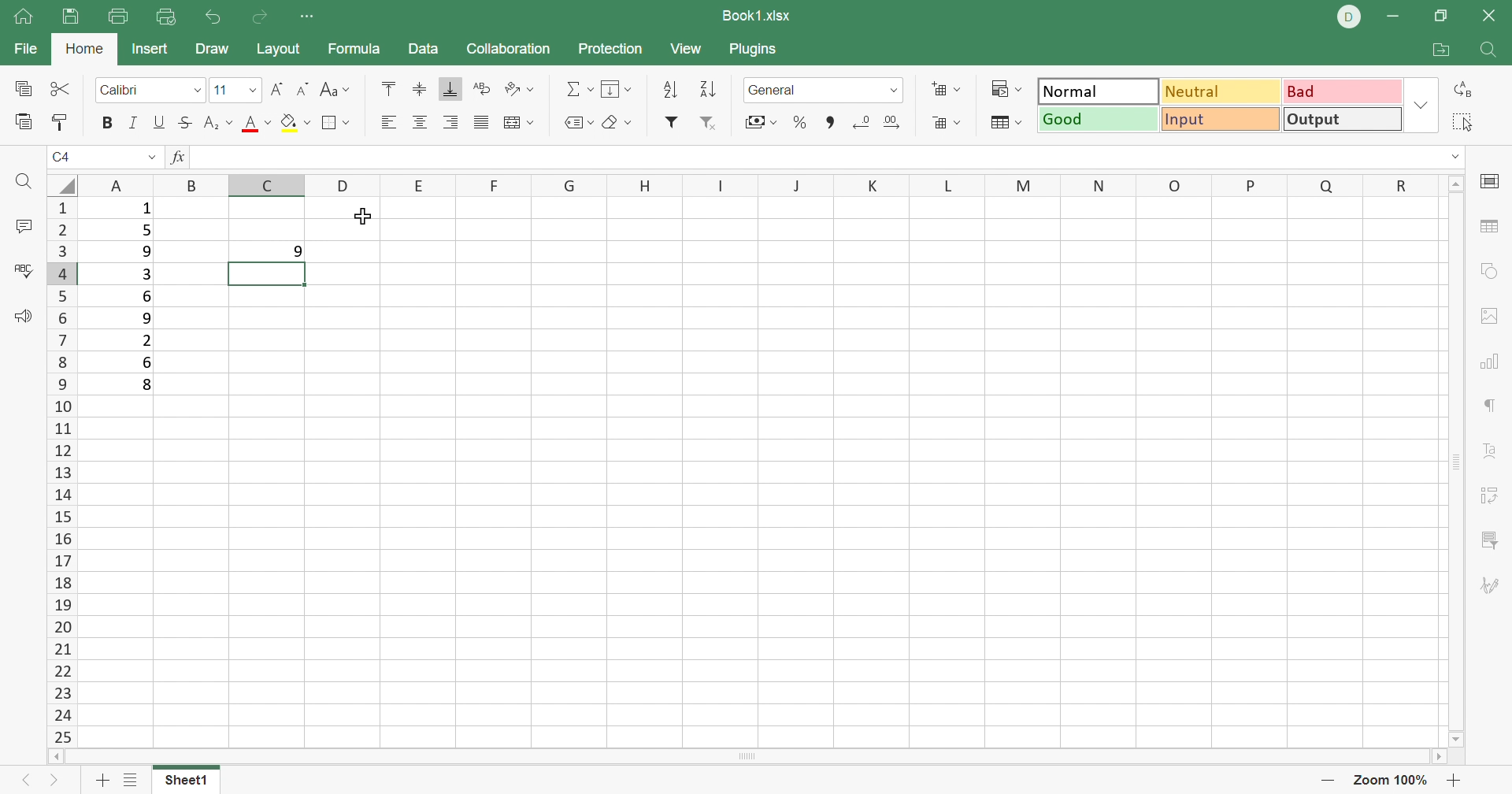 This screenshot has height=794, width=1512. What do you see at coordinates (1393, 16) in the screenshot?
I see `Minimize` at bounding box center [1393, 16].